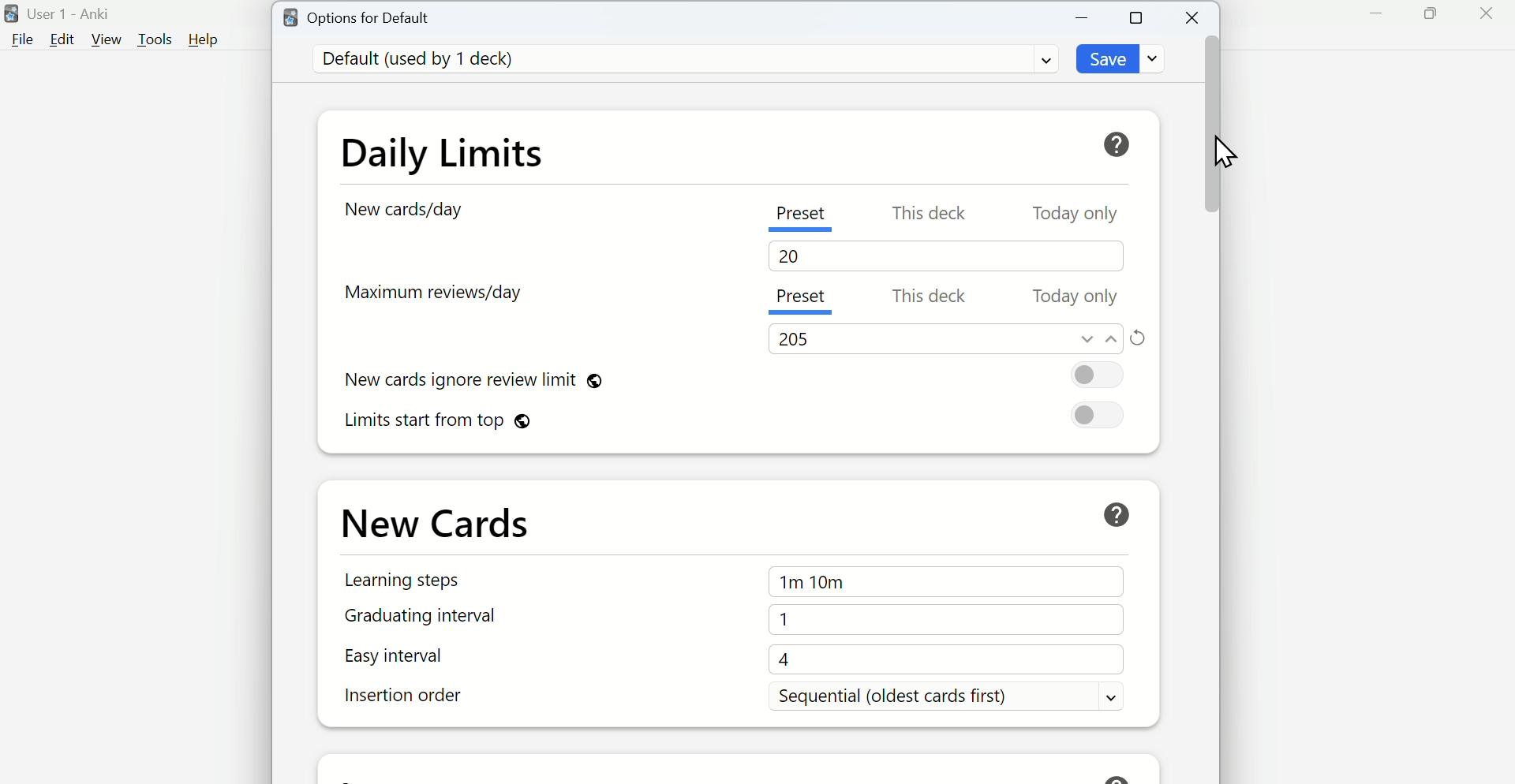 This screenshot has width=1515, height=784. Describe the element at coordinates (793, 339) in the screenshot. I see `202` at that location.